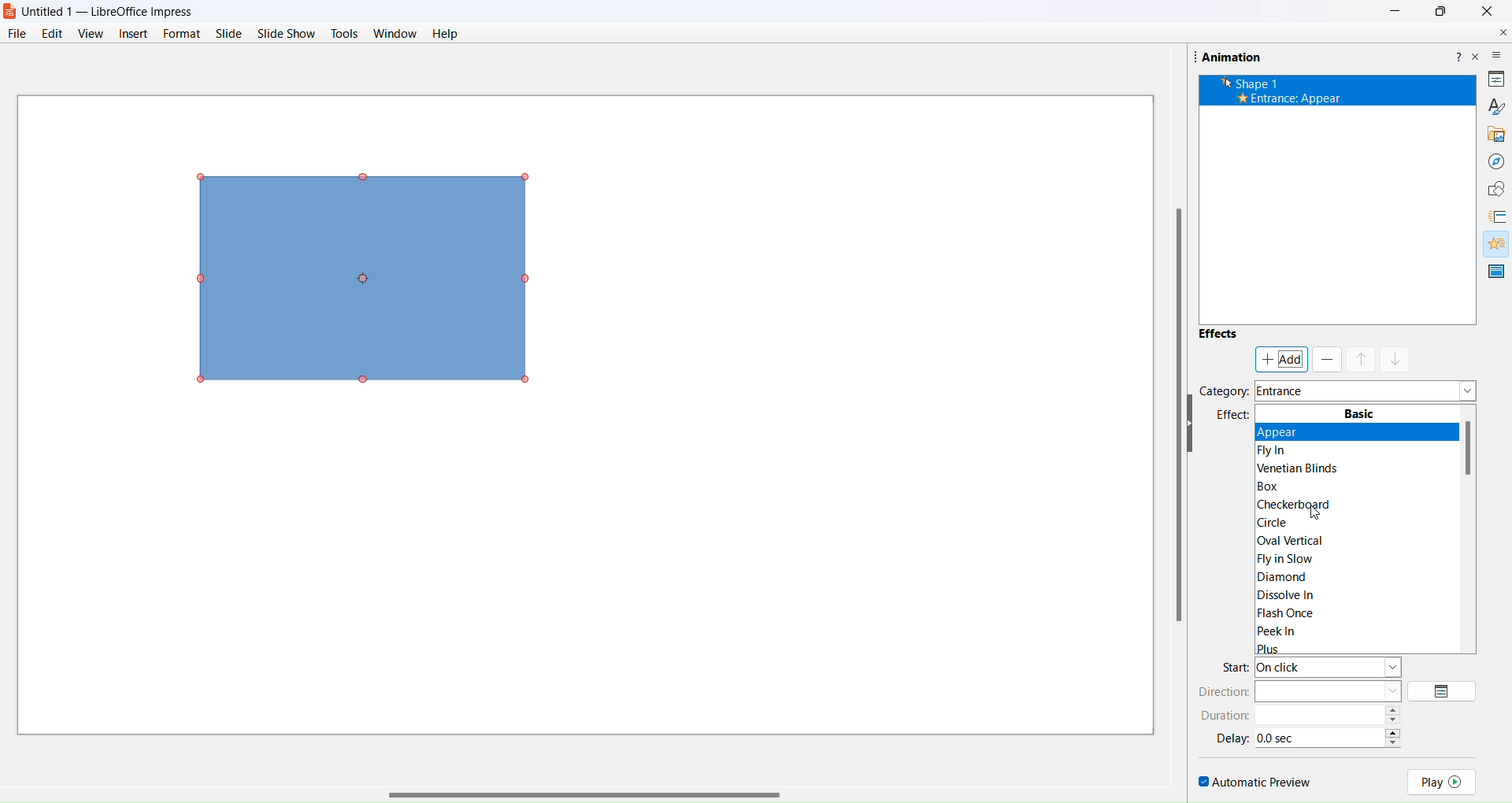  Describe the element at coordinates (1234, 738) in the screenshot. I see `delay` at that location.